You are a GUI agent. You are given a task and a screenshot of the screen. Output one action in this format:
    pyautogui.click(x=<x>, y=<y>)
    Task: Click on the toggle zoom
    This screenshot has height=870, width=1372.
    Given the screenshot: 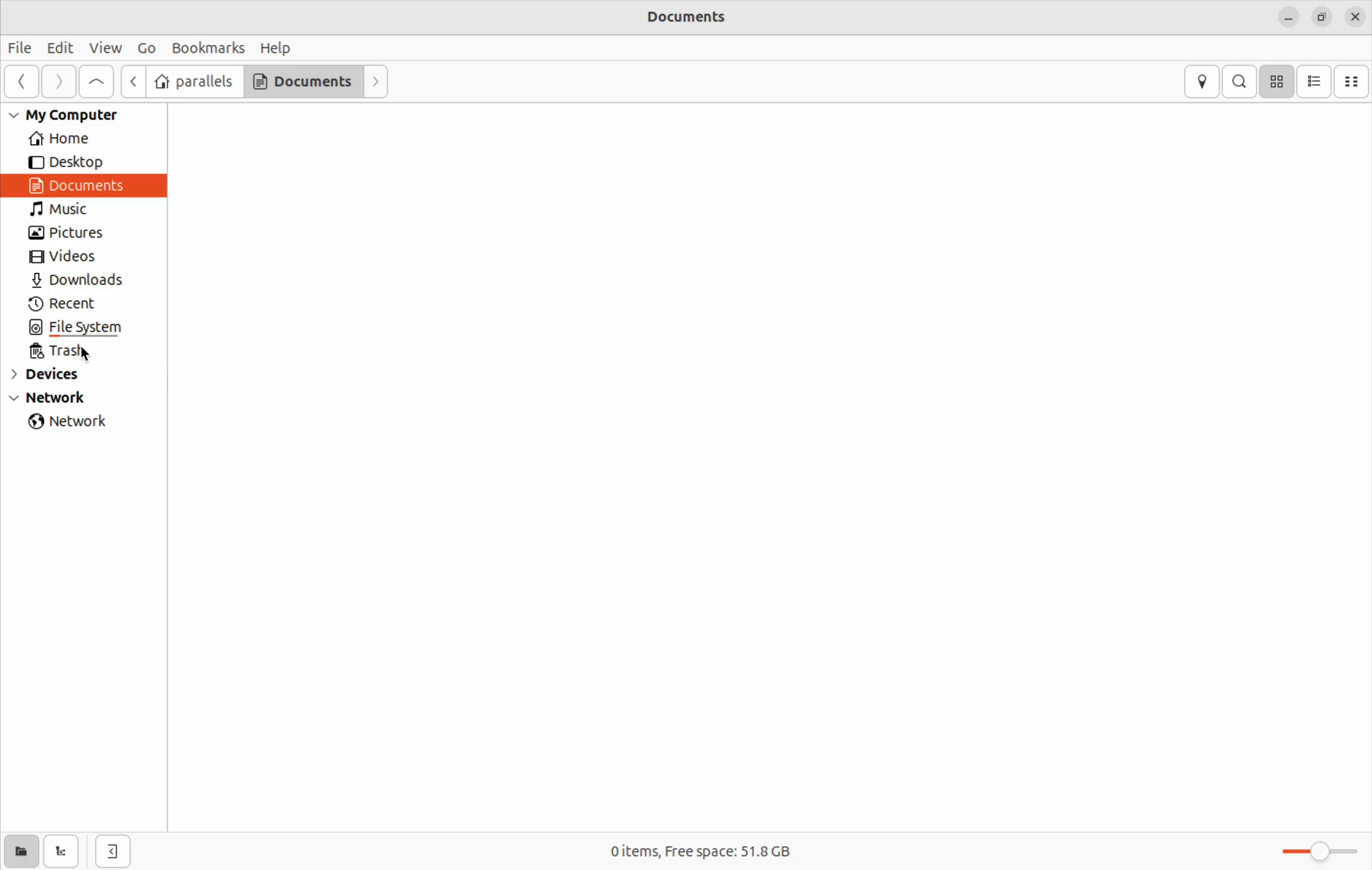 What is the action you would take?
    pyautogui.click(x=1316, y=848)
    